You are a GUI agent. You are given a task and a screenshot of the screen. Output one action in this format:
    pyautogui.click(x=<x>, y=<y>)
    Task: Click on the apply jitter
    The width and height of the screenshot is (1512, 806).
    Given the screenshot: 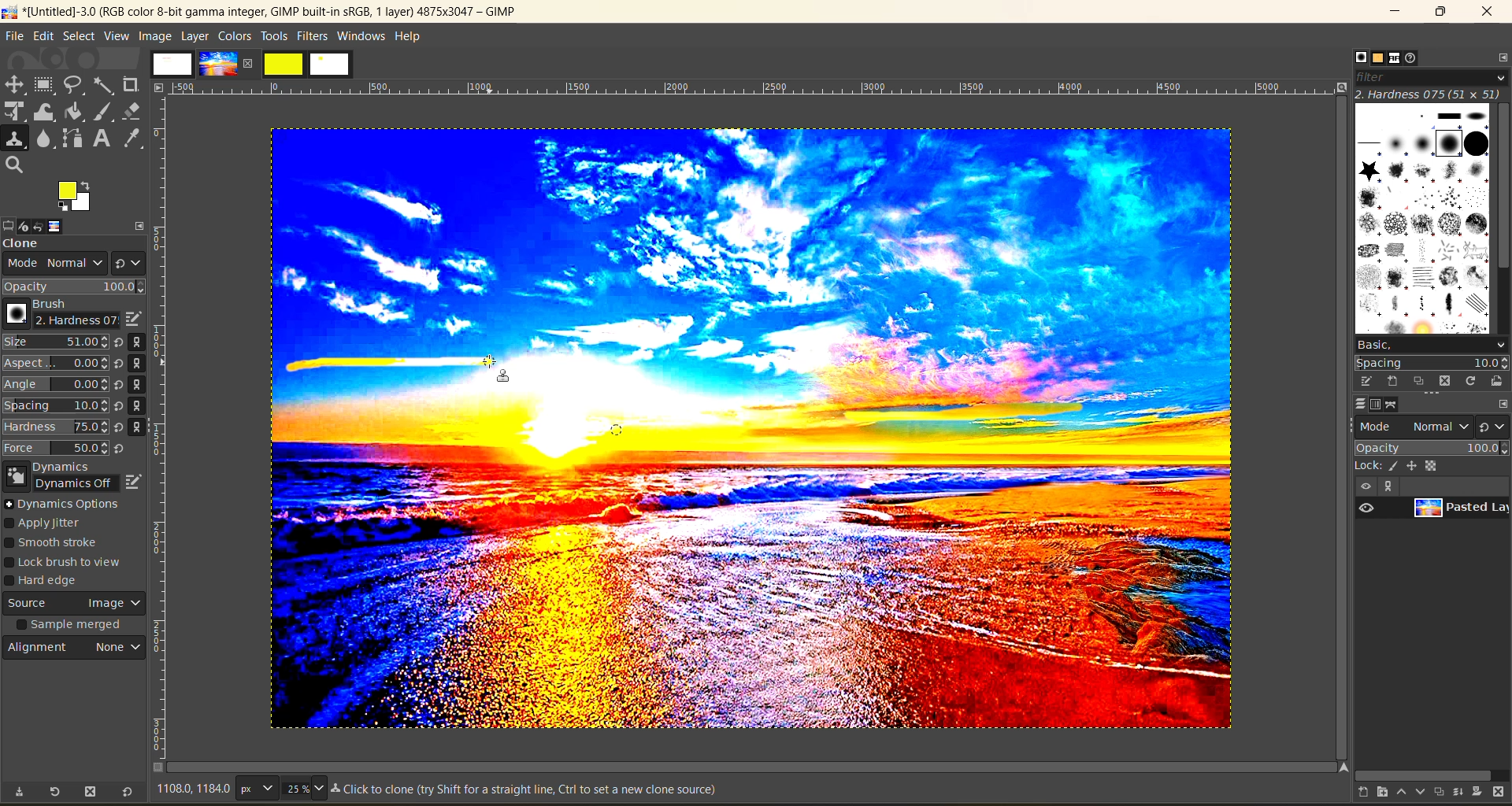 What is the action you would take?
    pyautogui.click(x=54, y=524)
    